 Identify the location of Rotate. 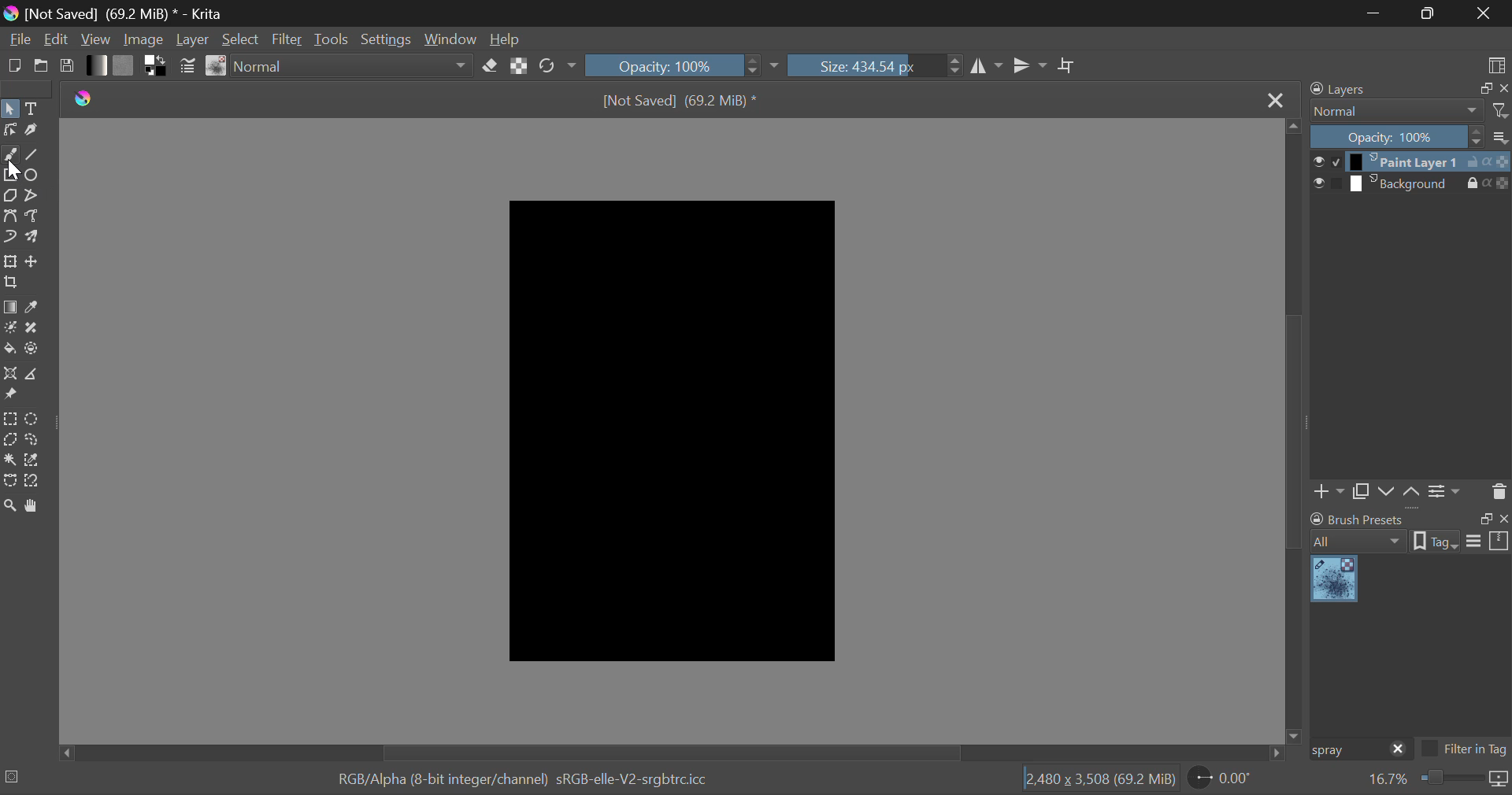
(559, 66).